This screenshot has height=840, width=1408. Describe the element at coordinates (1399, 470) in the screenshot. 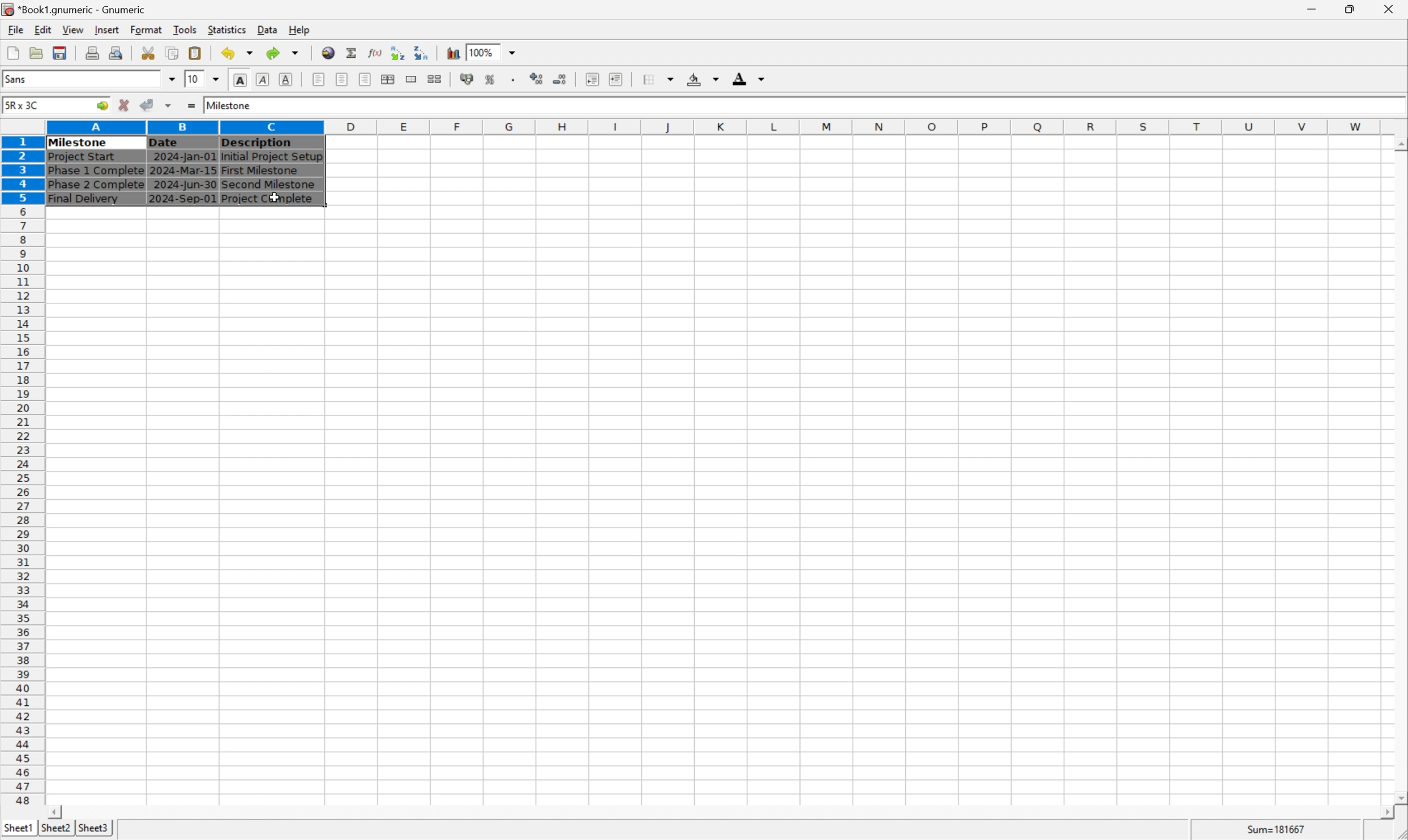

I see `scroll bar` at that location.